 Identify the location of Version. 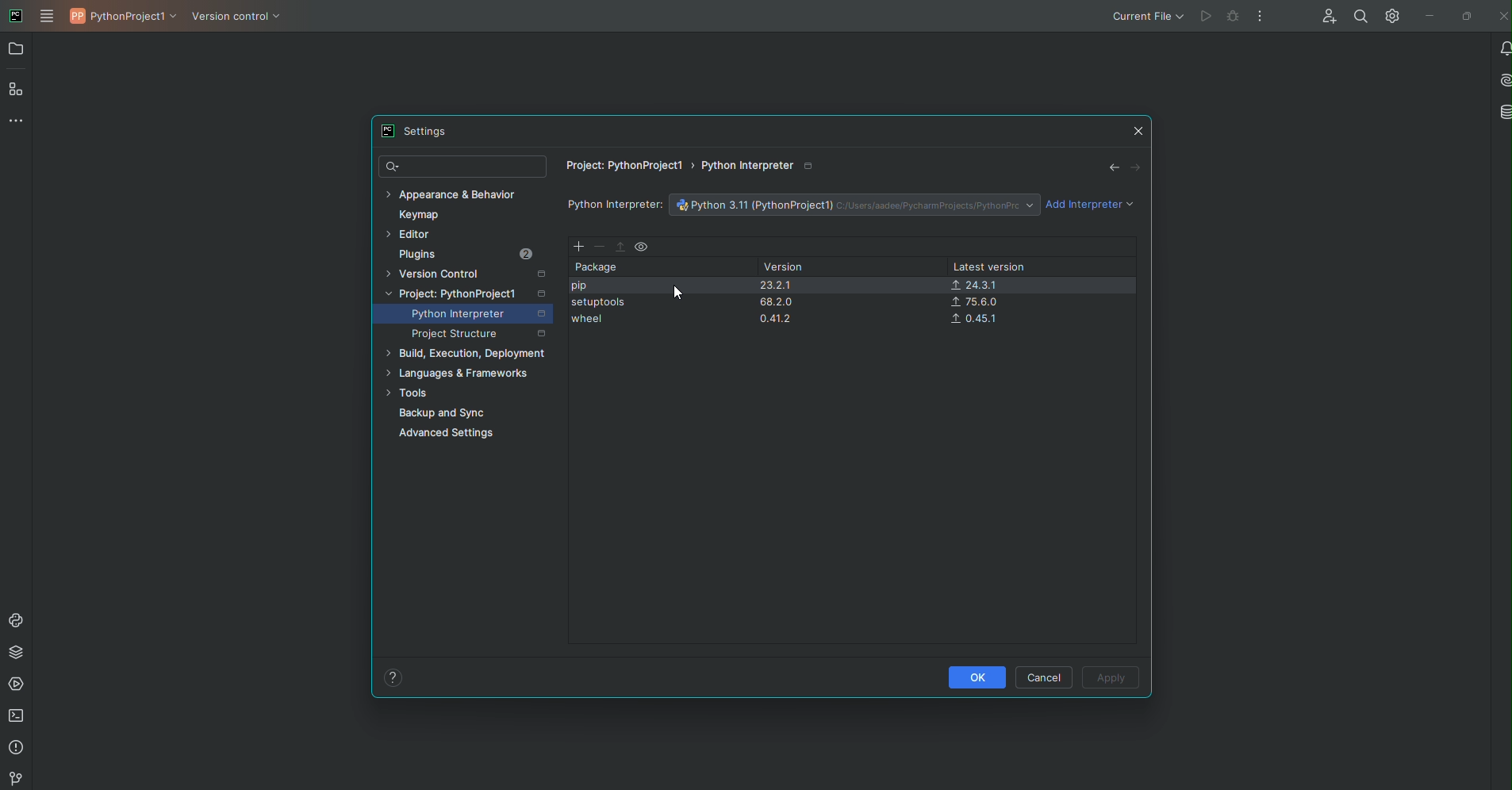
(787, 267).